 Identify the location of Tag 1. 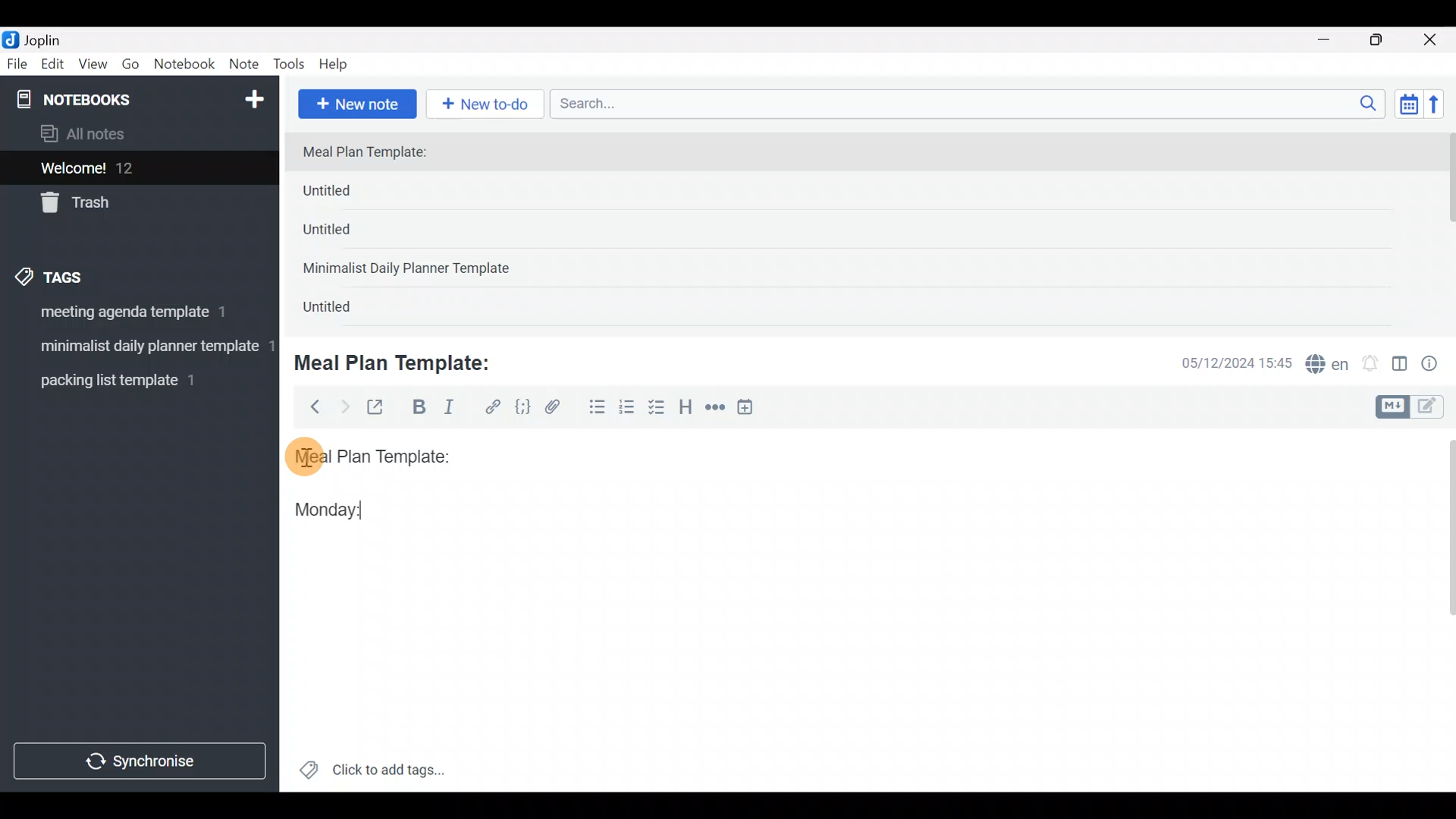
(135, 316).